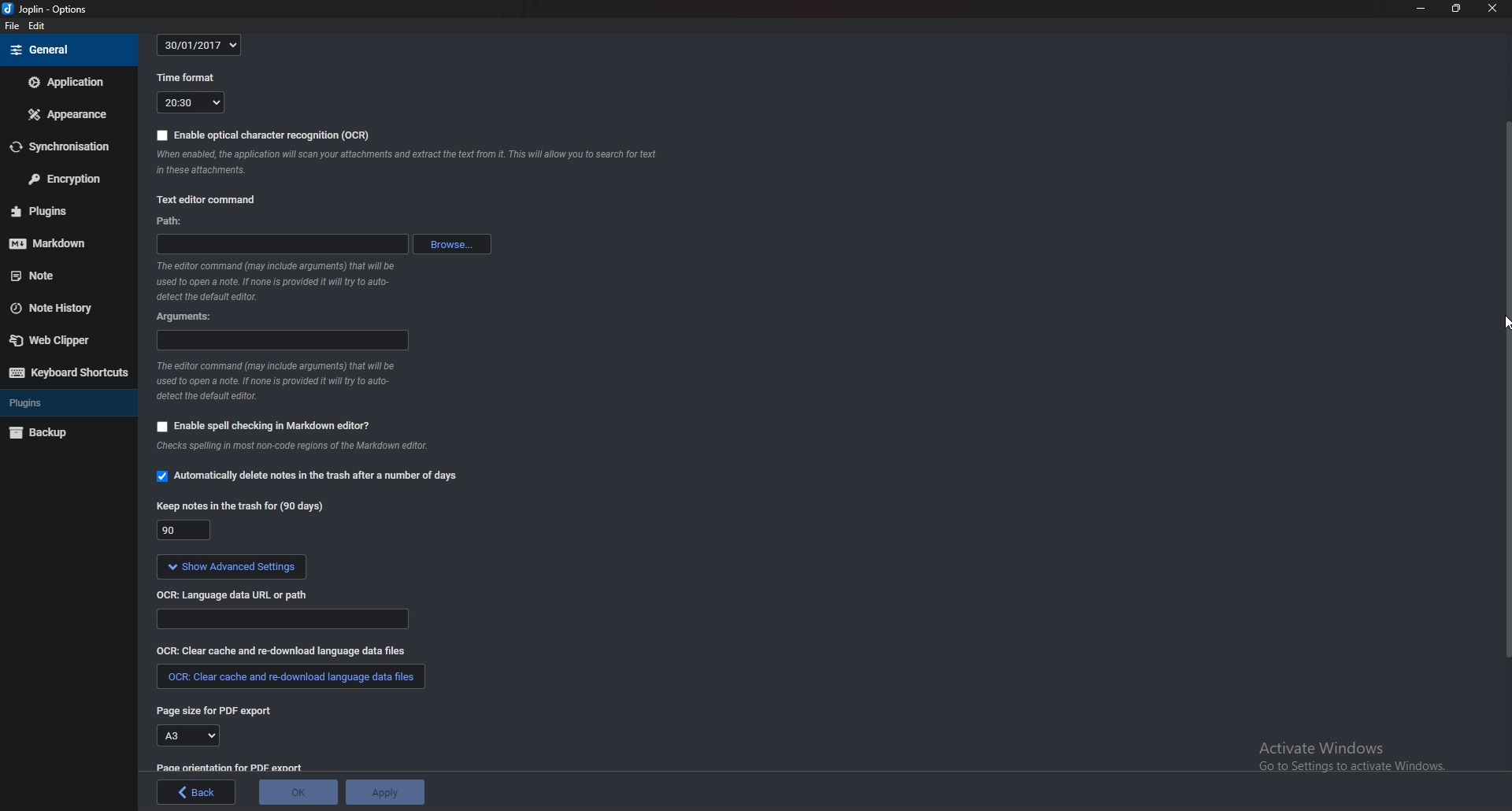  Describe the element at coordinates (54, 275) in the screenshot. I see `note` at that location.